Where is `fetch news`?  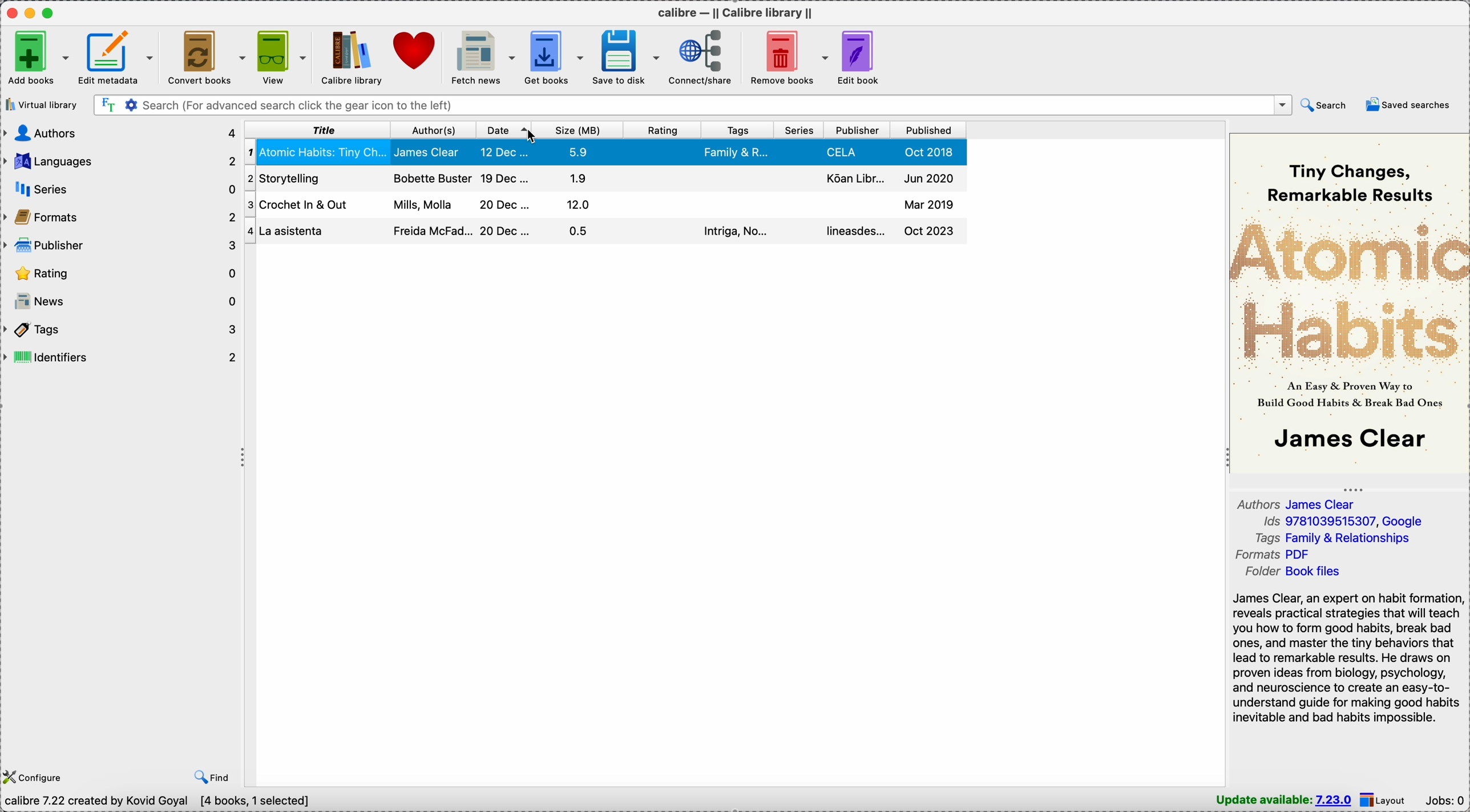
fetch news is located at coordinates (483, 58).